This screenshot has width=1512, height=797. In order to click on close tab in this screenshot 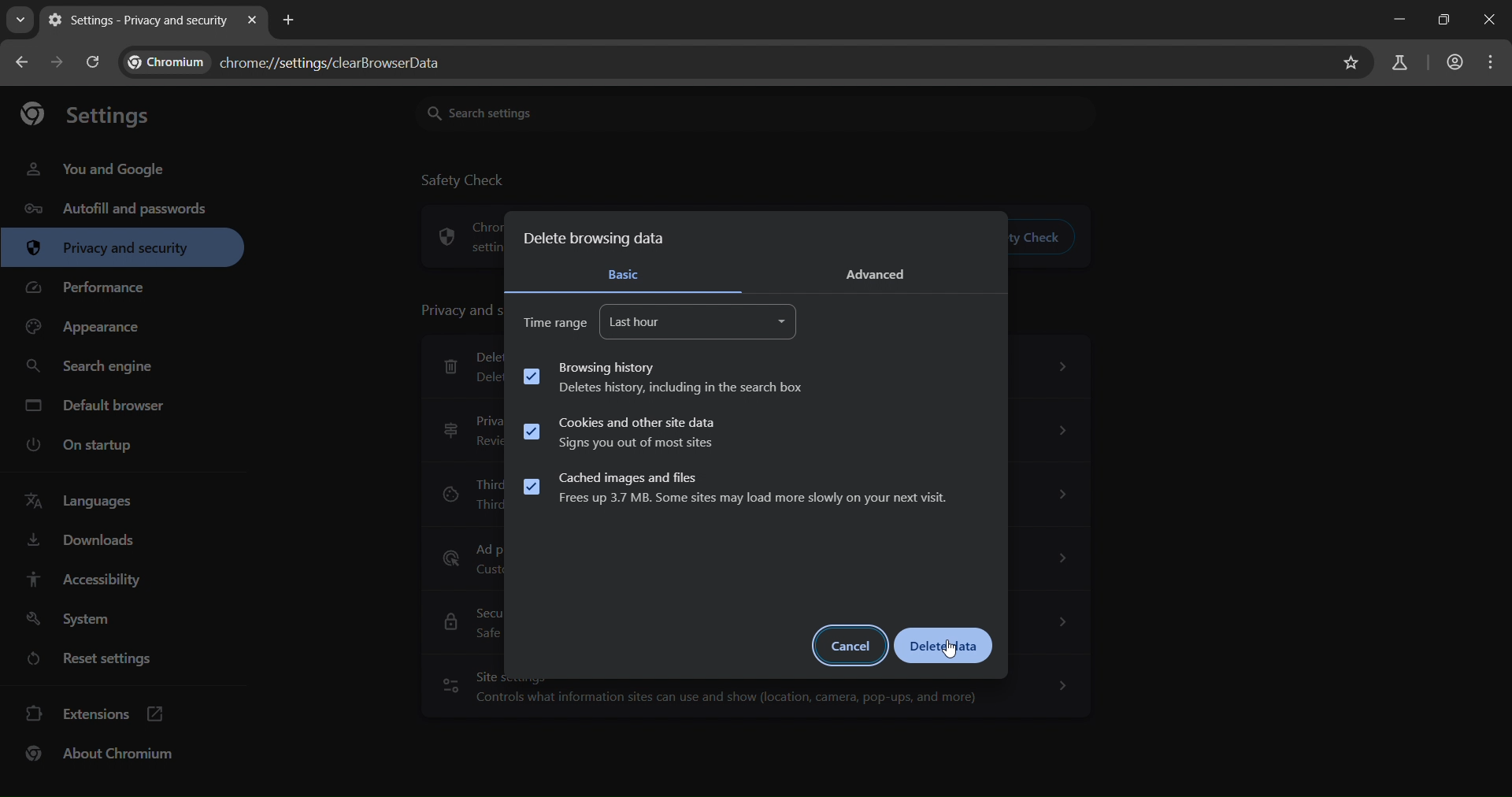, I will do `click(254, 21)`.